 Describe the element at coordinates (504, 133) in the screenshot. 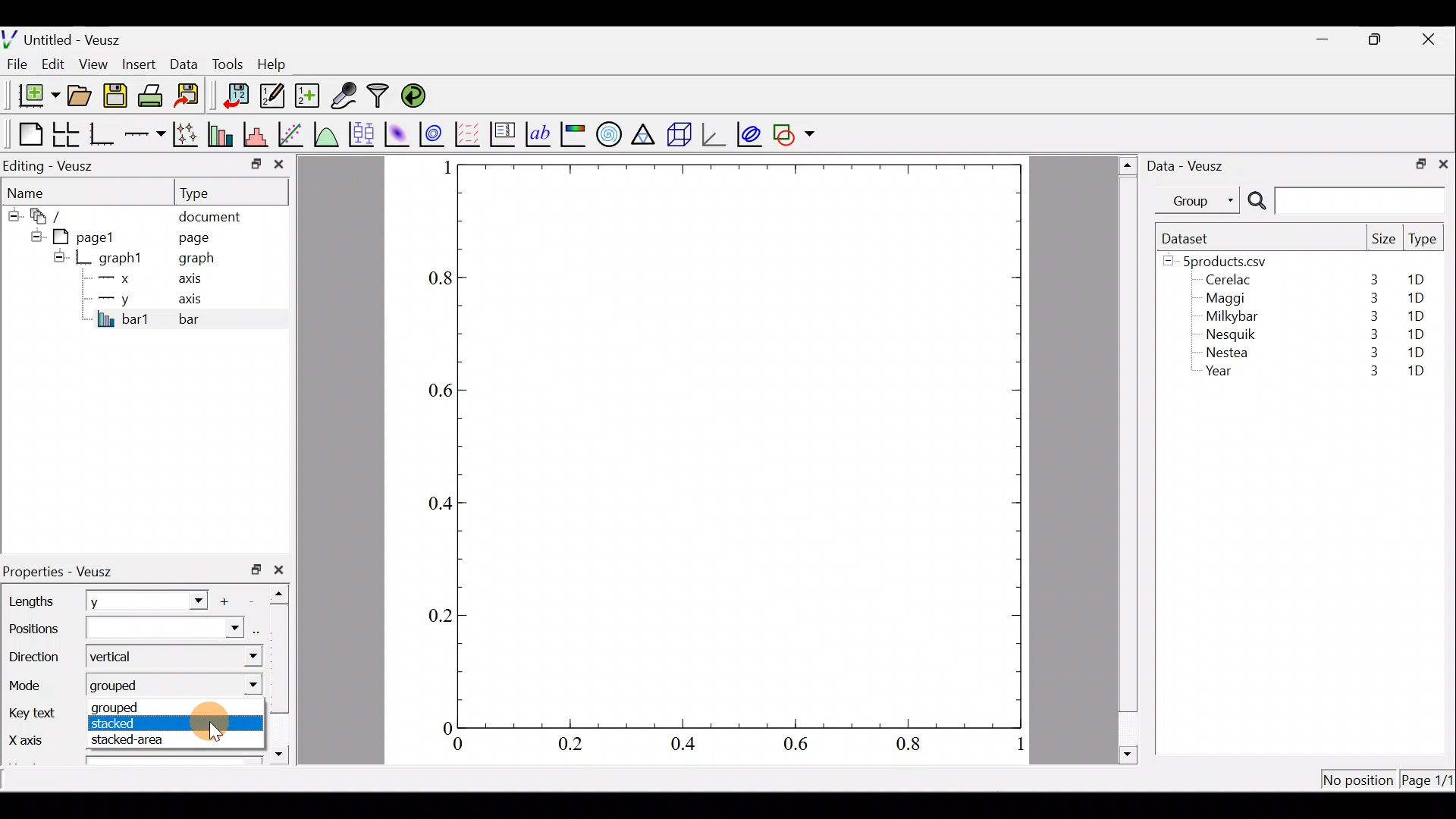

I see `Plot key` at that location.